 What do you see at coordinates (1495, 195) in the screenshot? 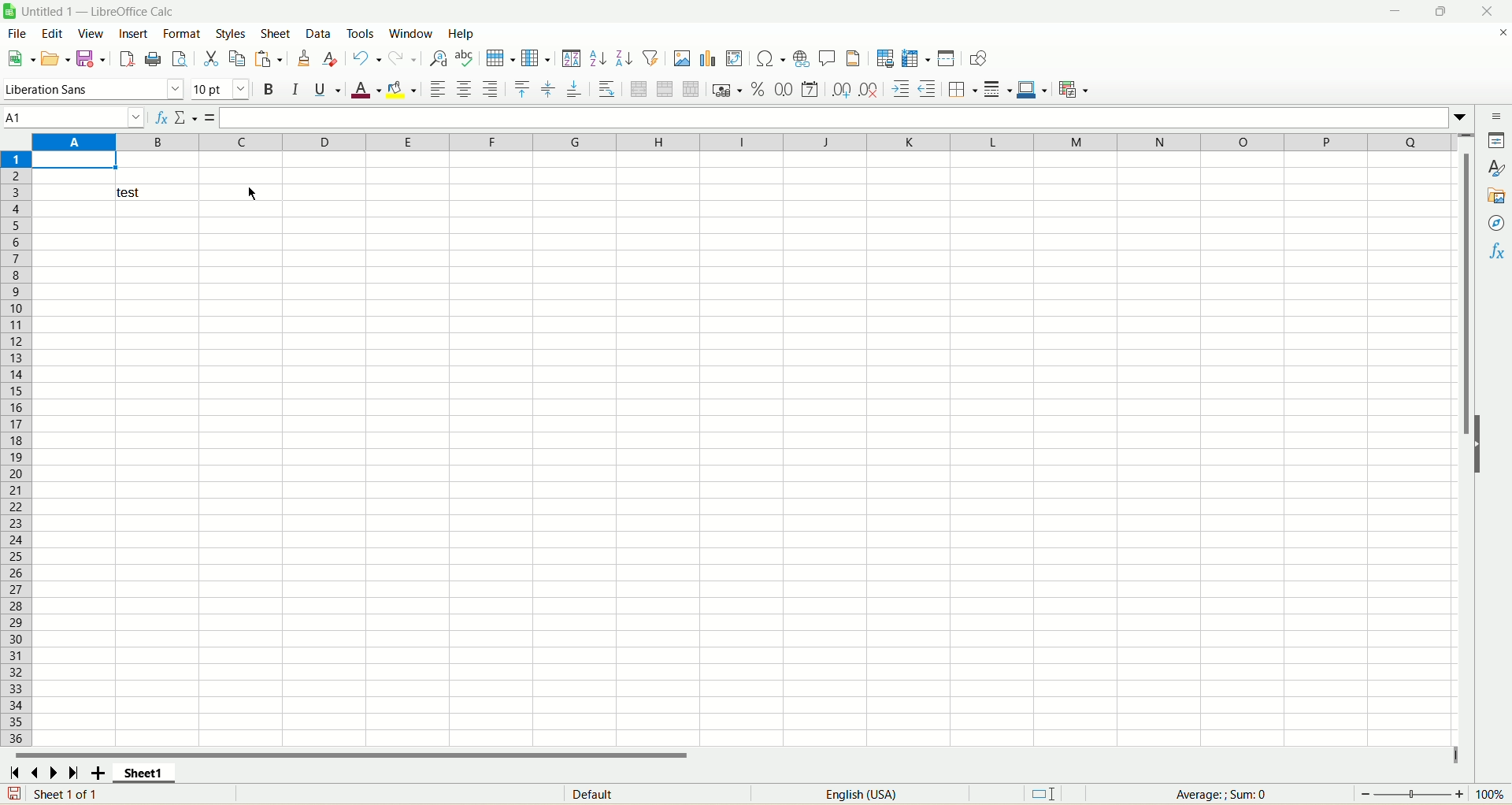
I see `gallery` at bounding box center [1495, 195].